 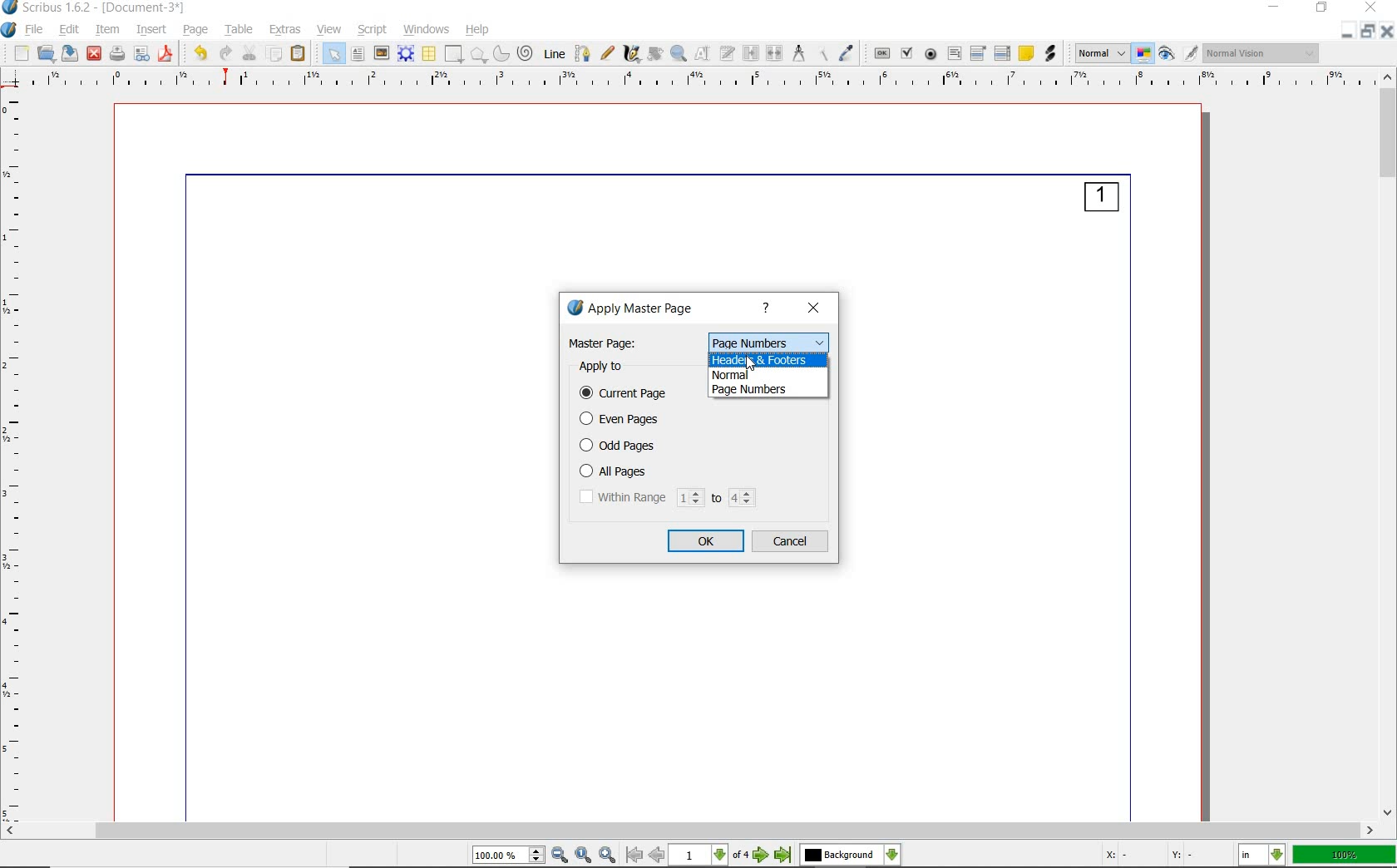 I want to click on edit contents of frame, so click(x=702, y=54).